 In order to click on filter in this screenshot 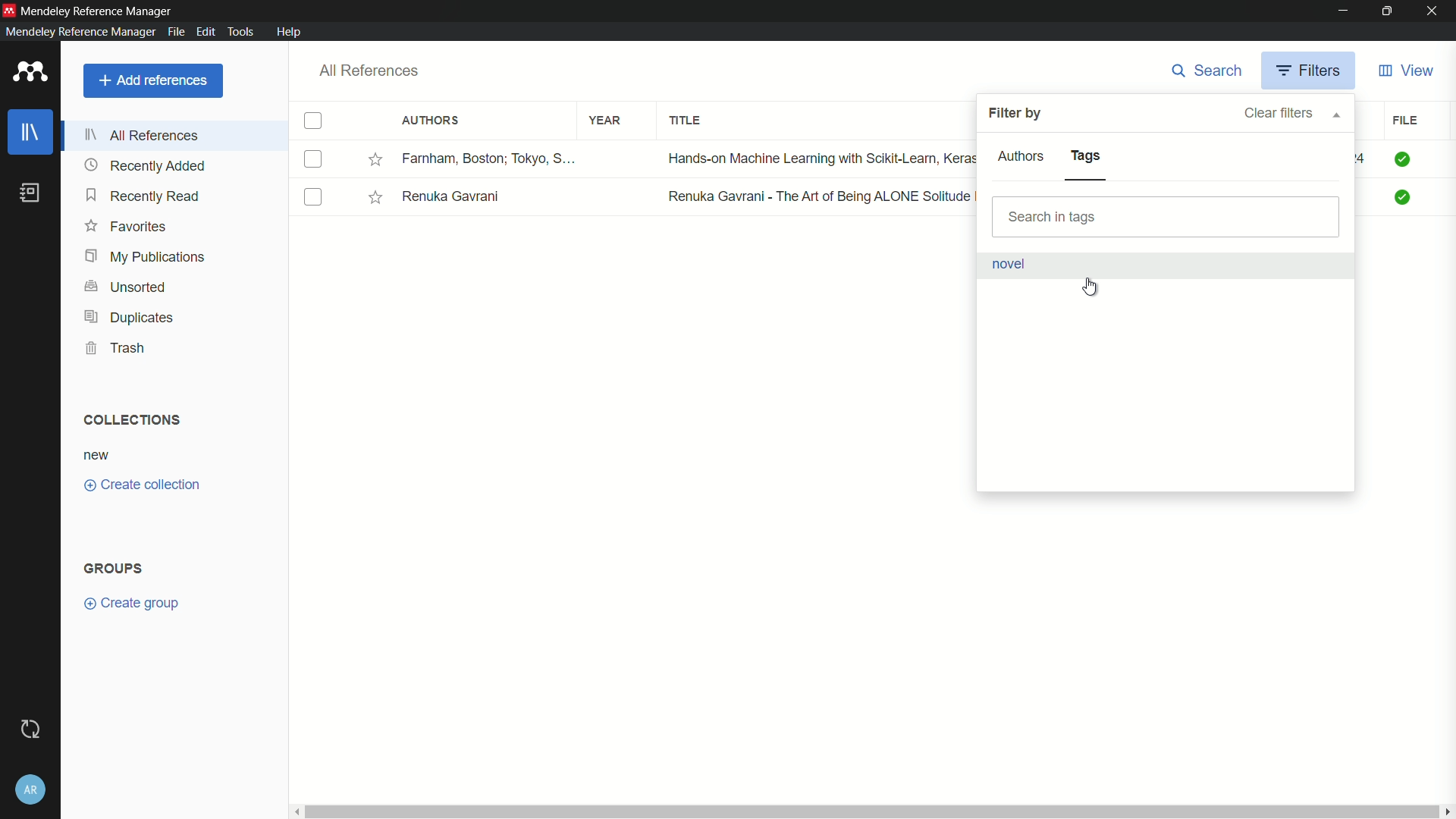, I will do `click(1311, 71)`.